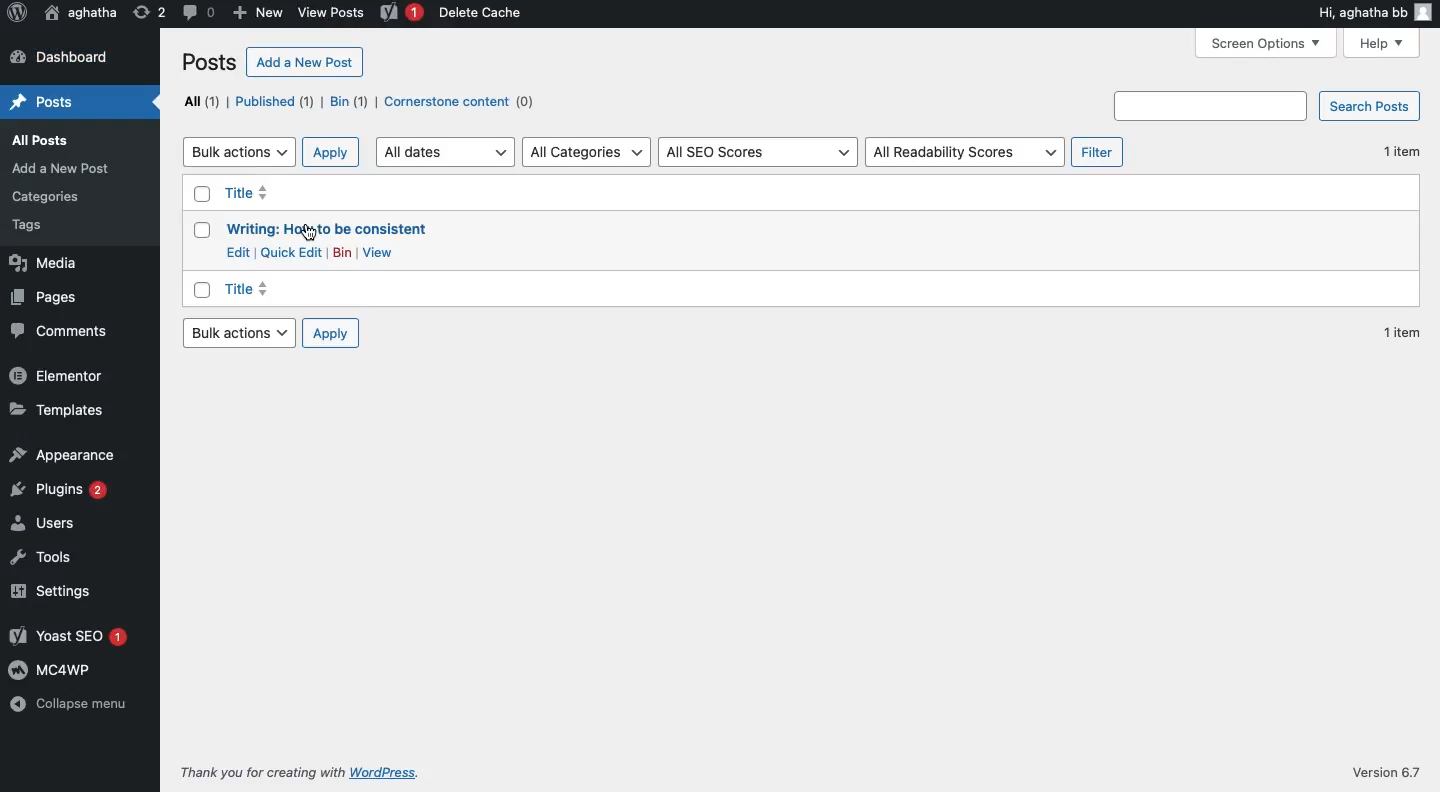  I want to click on Bin, so click(343, 253).